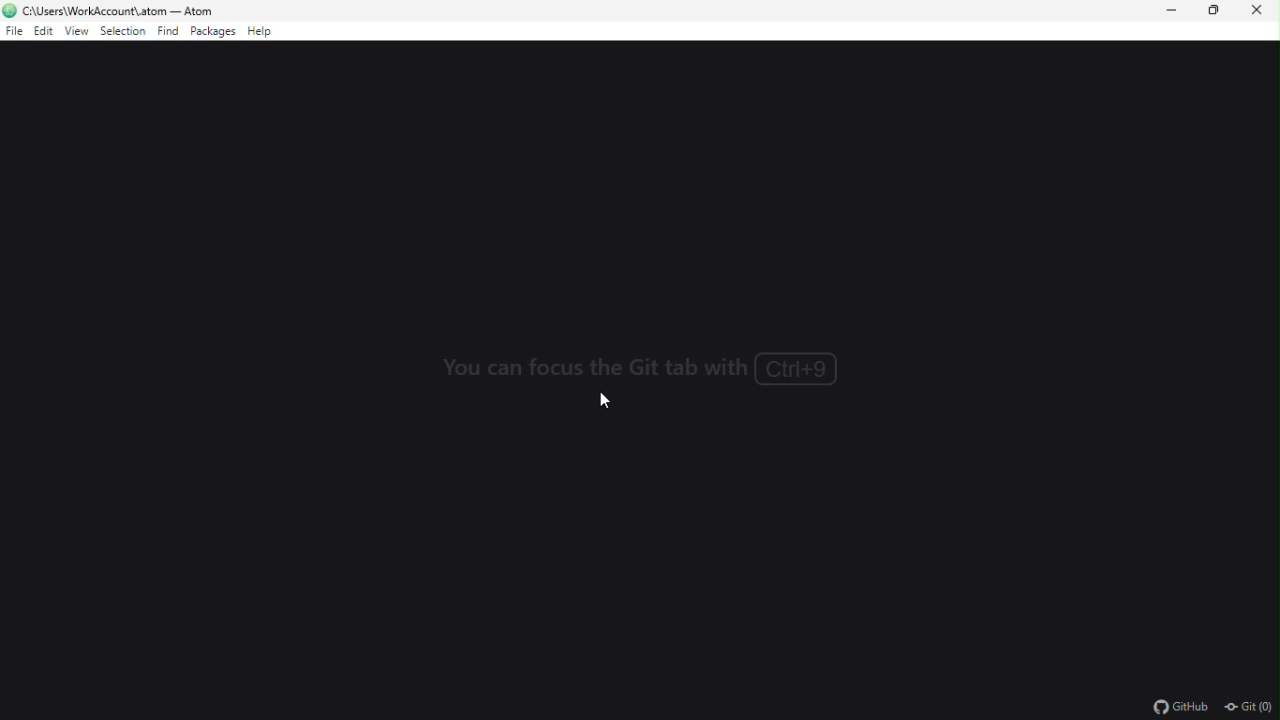  I want to click on restore, so click(1215, 13).